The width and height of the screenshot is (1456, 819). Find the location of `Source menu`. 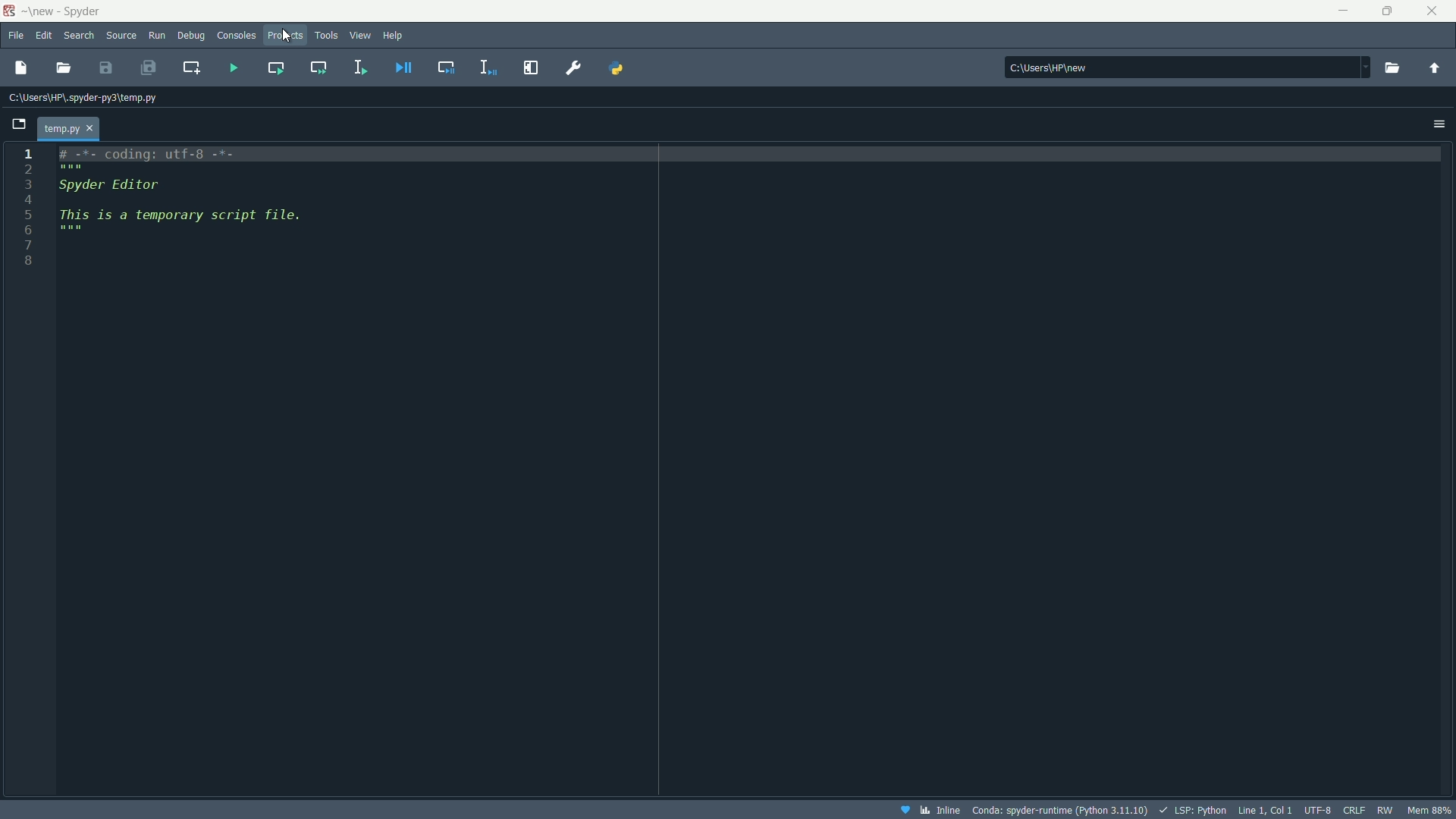

Source menu is located at coordinates (119, 37).